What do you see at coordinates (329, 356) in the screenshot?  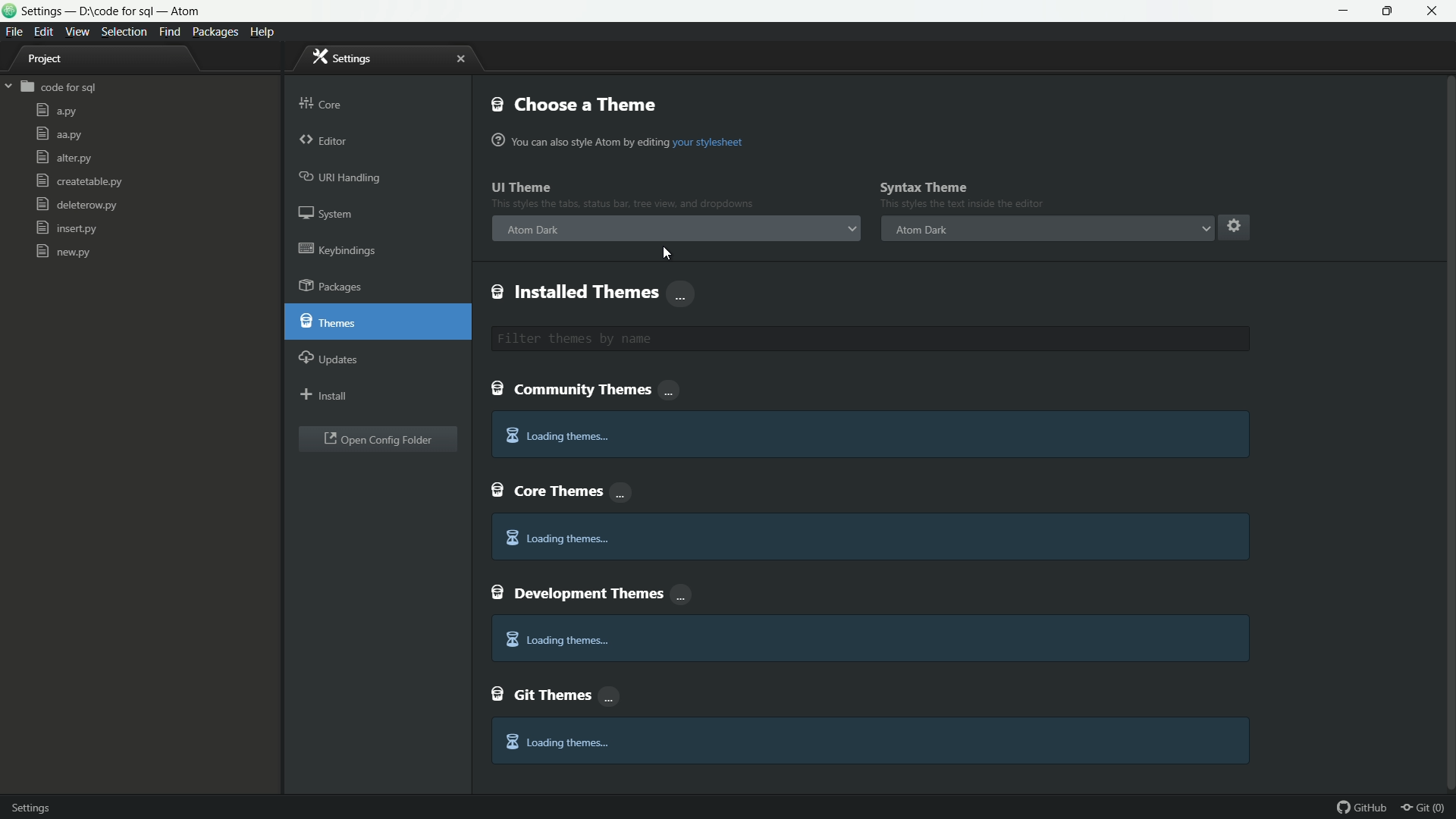 I see `updates` at bounding box center [329, 356].